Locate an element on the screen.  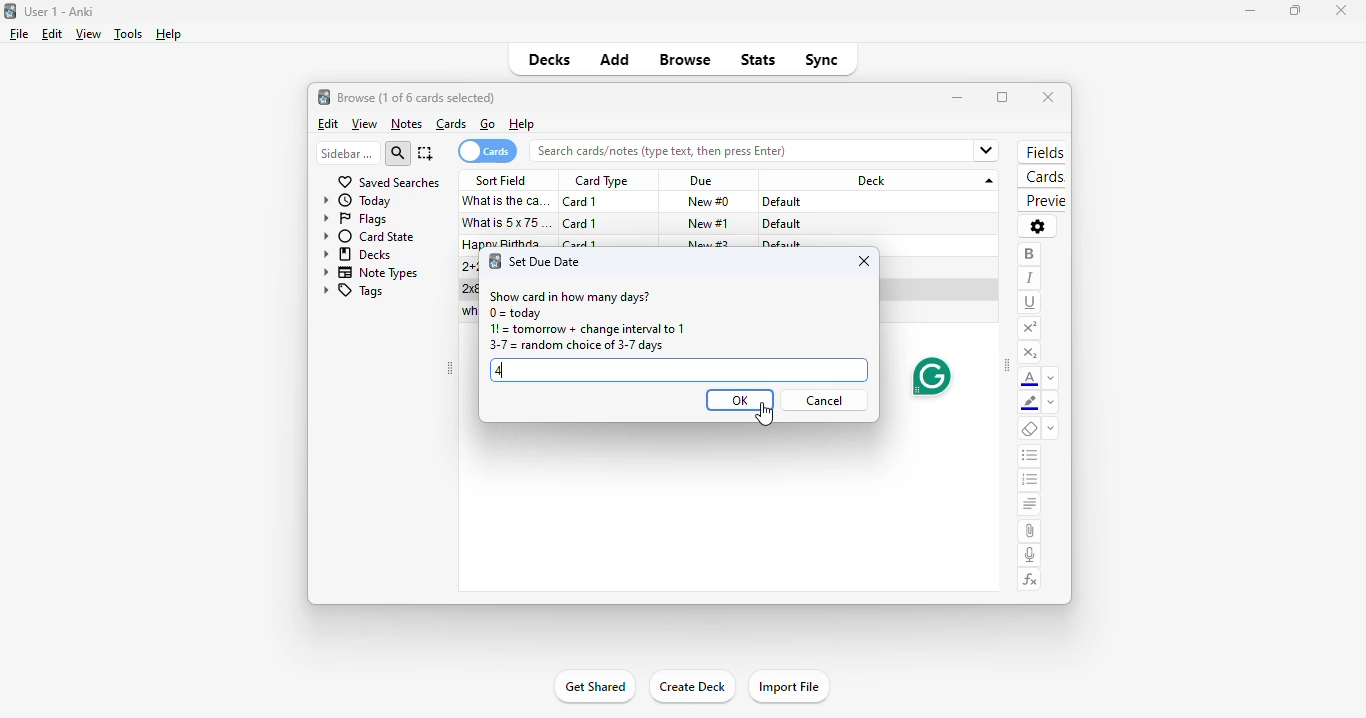
view is located at coordinates (87, 34).